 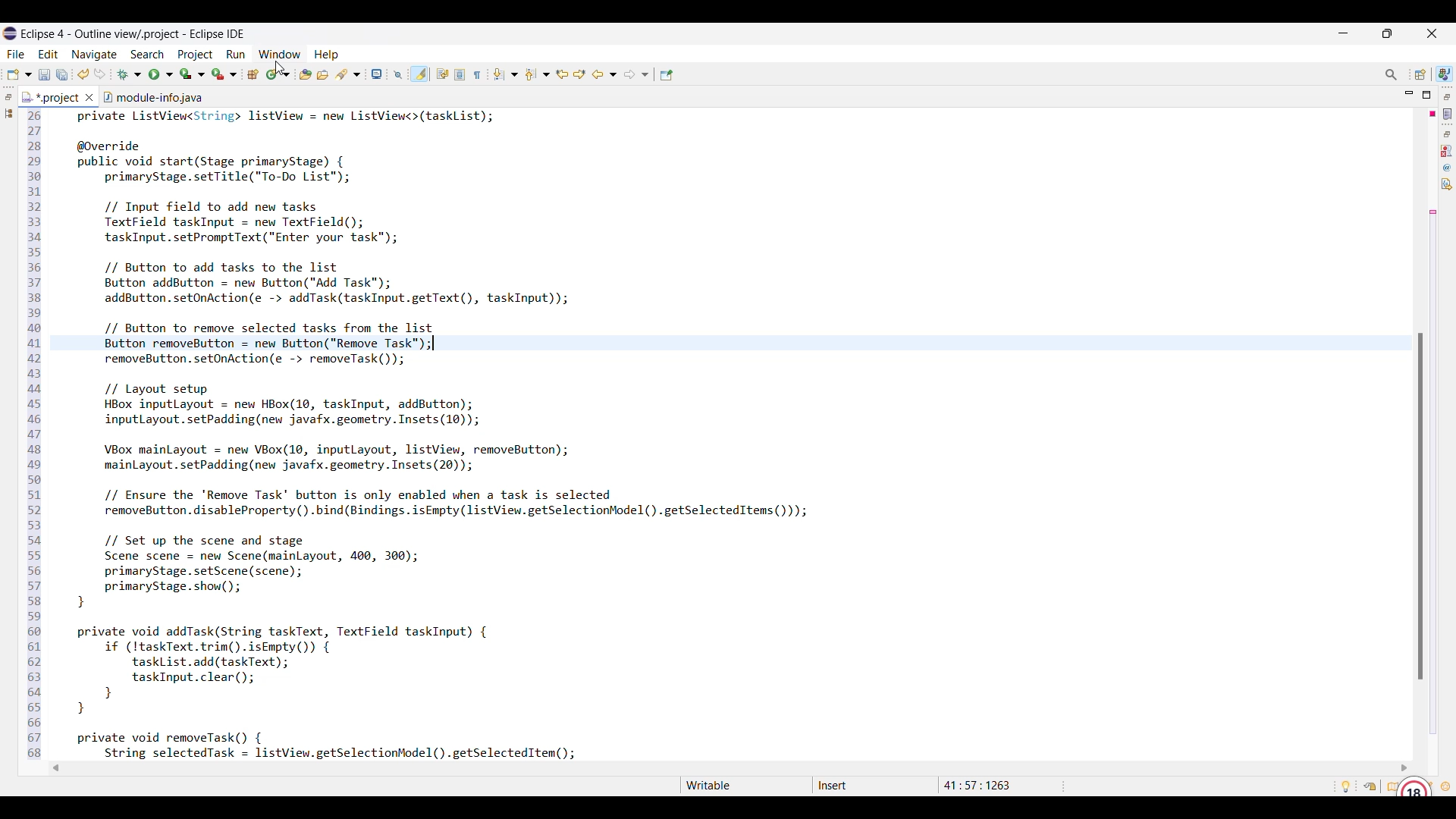 I want to click on Current perspective, so click(x=1445, y=74).